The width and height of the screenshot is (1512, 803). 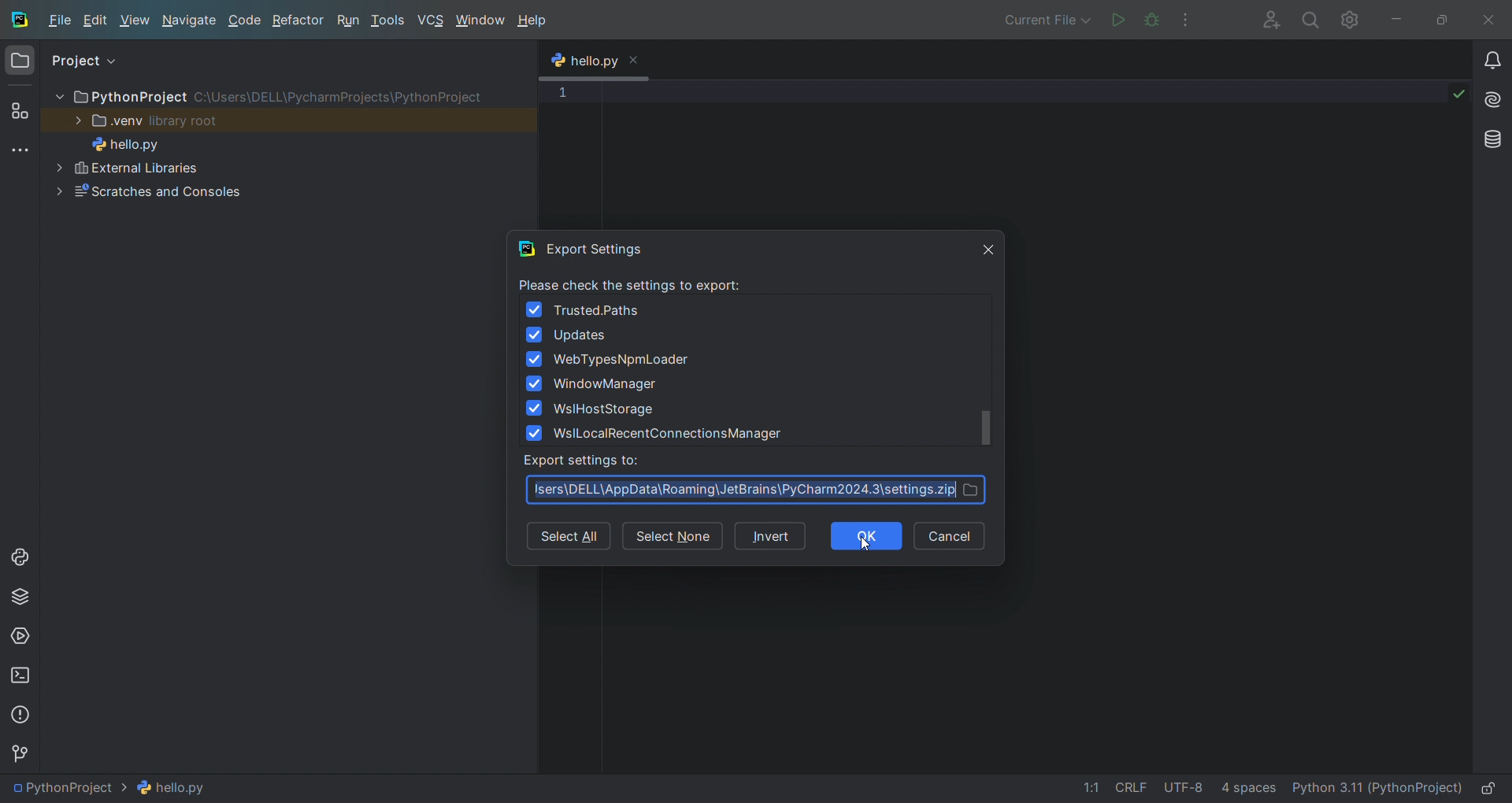 I want to click on more tools windows, so click(x=24, y=150).